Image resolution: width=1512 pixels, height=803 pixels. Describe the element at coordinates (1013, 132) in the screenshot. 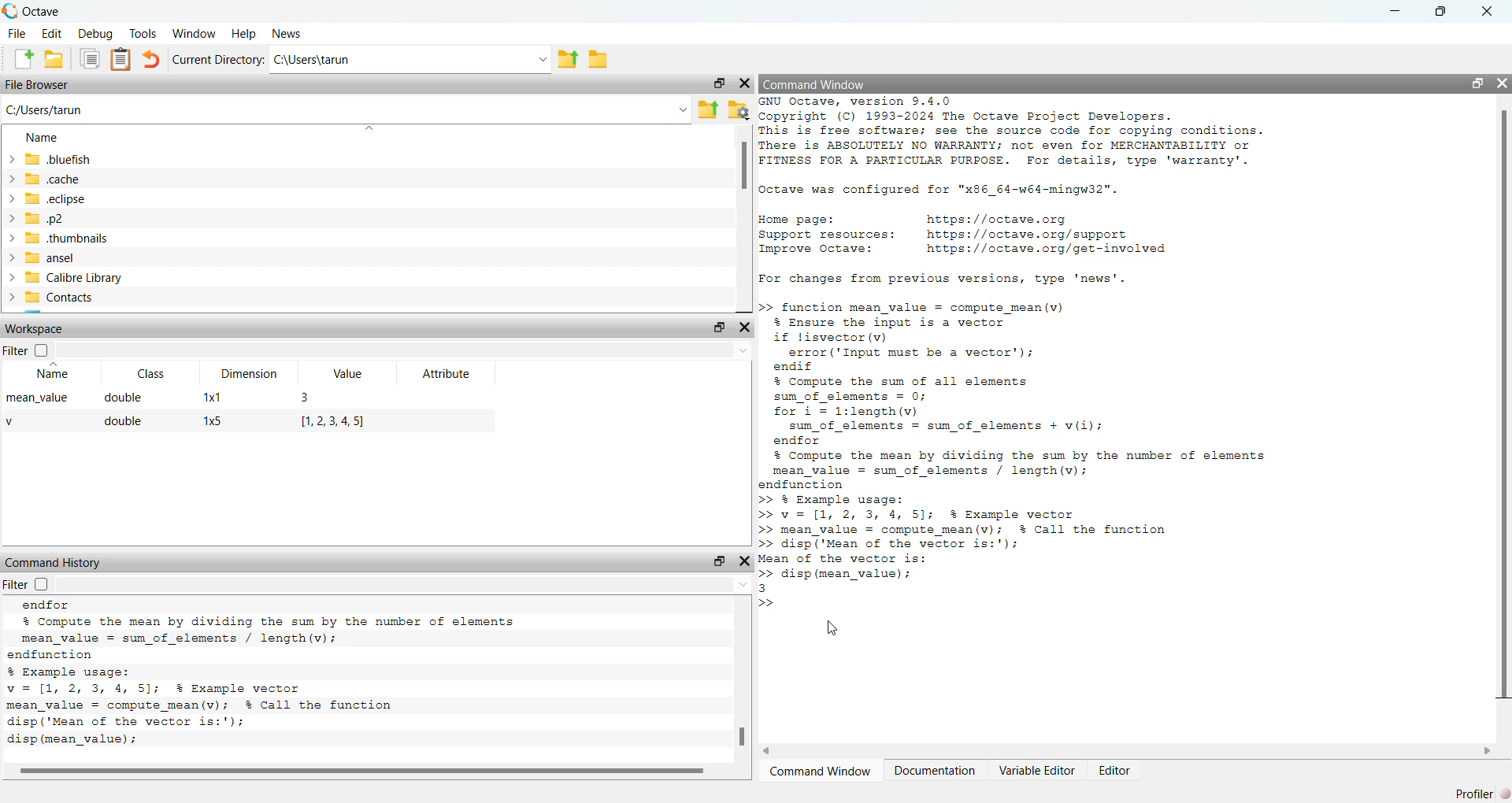

I see `GNU Octave, version 9.4.0

Copyright (C) 1993-2024 The Octave Project Developers.

This is free software; see the source code for copying conditions.
There is ABSOLUTELY NO WARRANTY; not even for MERCHANTABILITY or
FITNESS FOR A PARTICULAR PURPOSE. For details, type 'warranty'.` at that location.